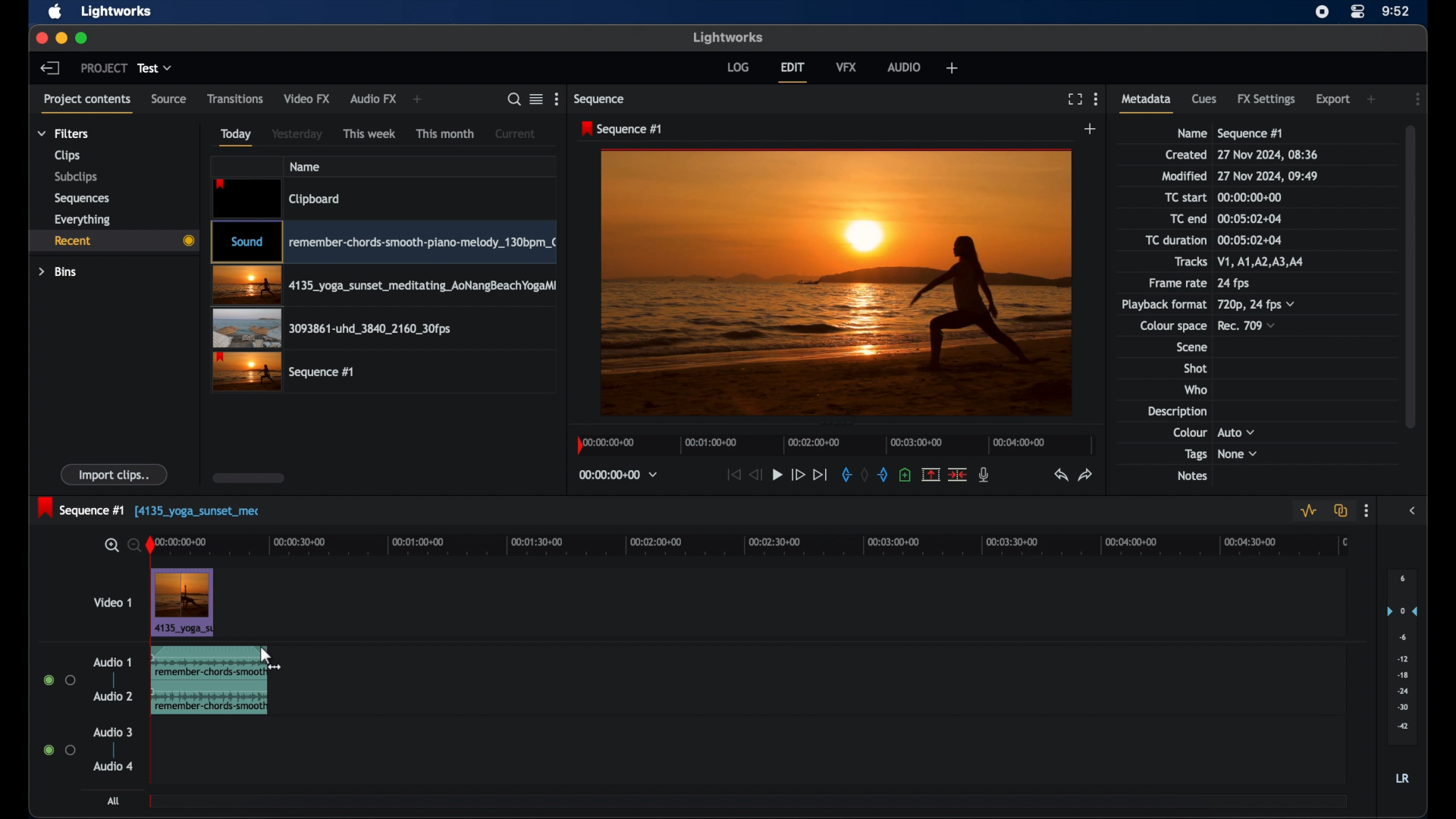 The height and width of the screenshot is (819, 1456). Describe the element at coordinates (1175, 240) in the screenshot. I see `tc duration` at that location.